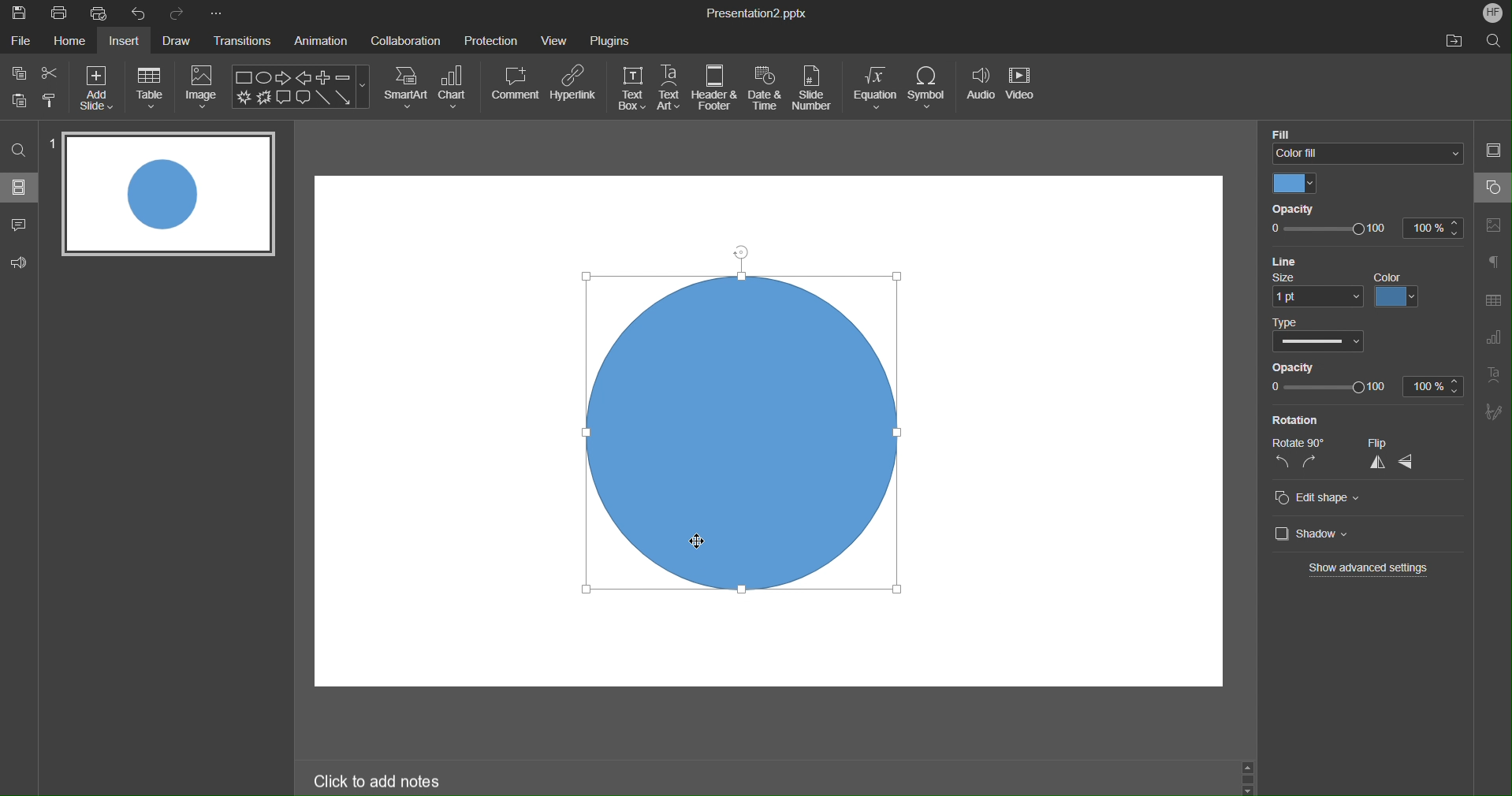  I want to click on Color FIll, so click(1364, 143).